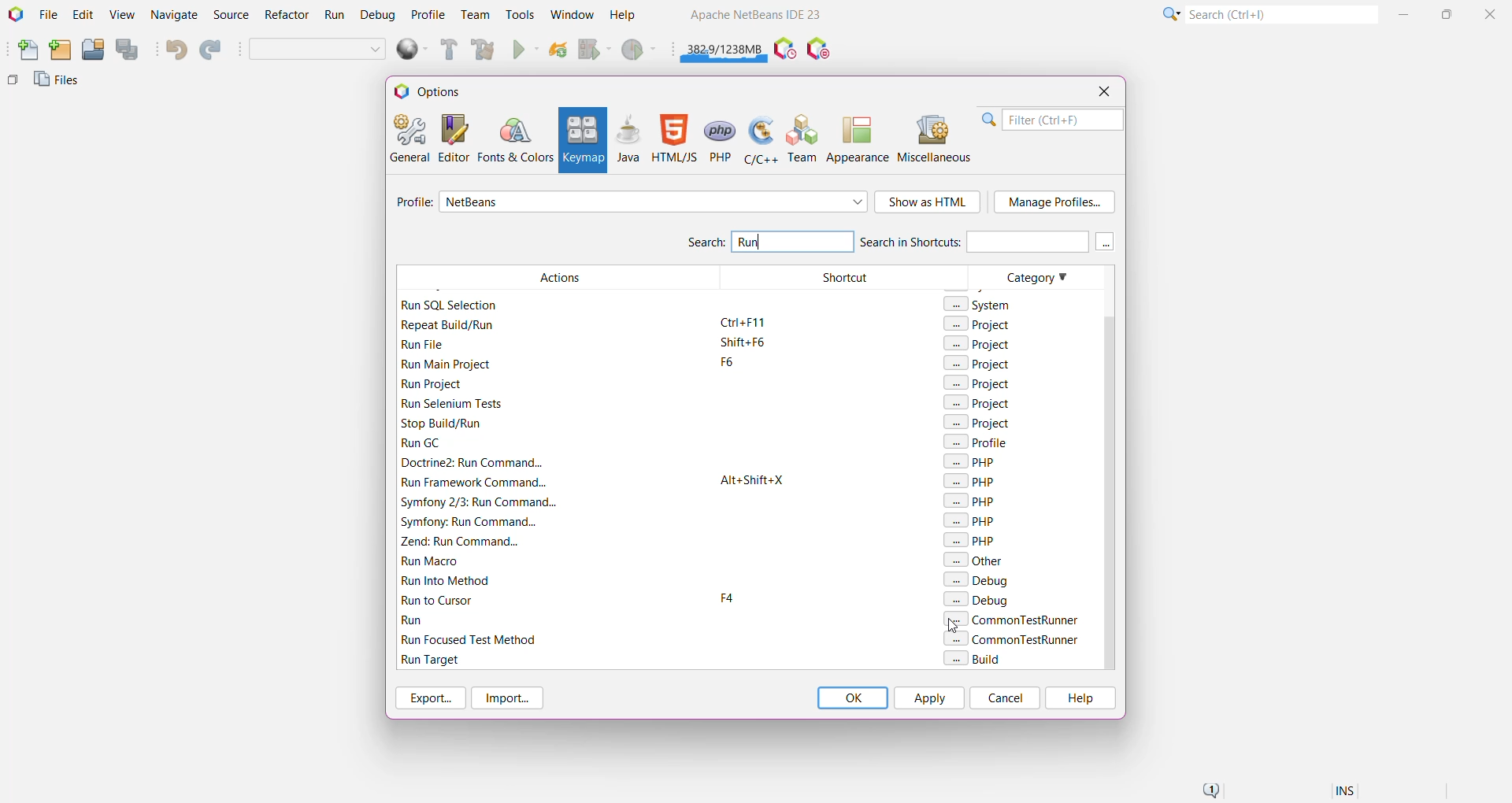 Image resolution: width=1512 pixels, height=803 pixels. Describe the element at coordinates (1106, 242) in the screenshot. I see `More keys` at that location.